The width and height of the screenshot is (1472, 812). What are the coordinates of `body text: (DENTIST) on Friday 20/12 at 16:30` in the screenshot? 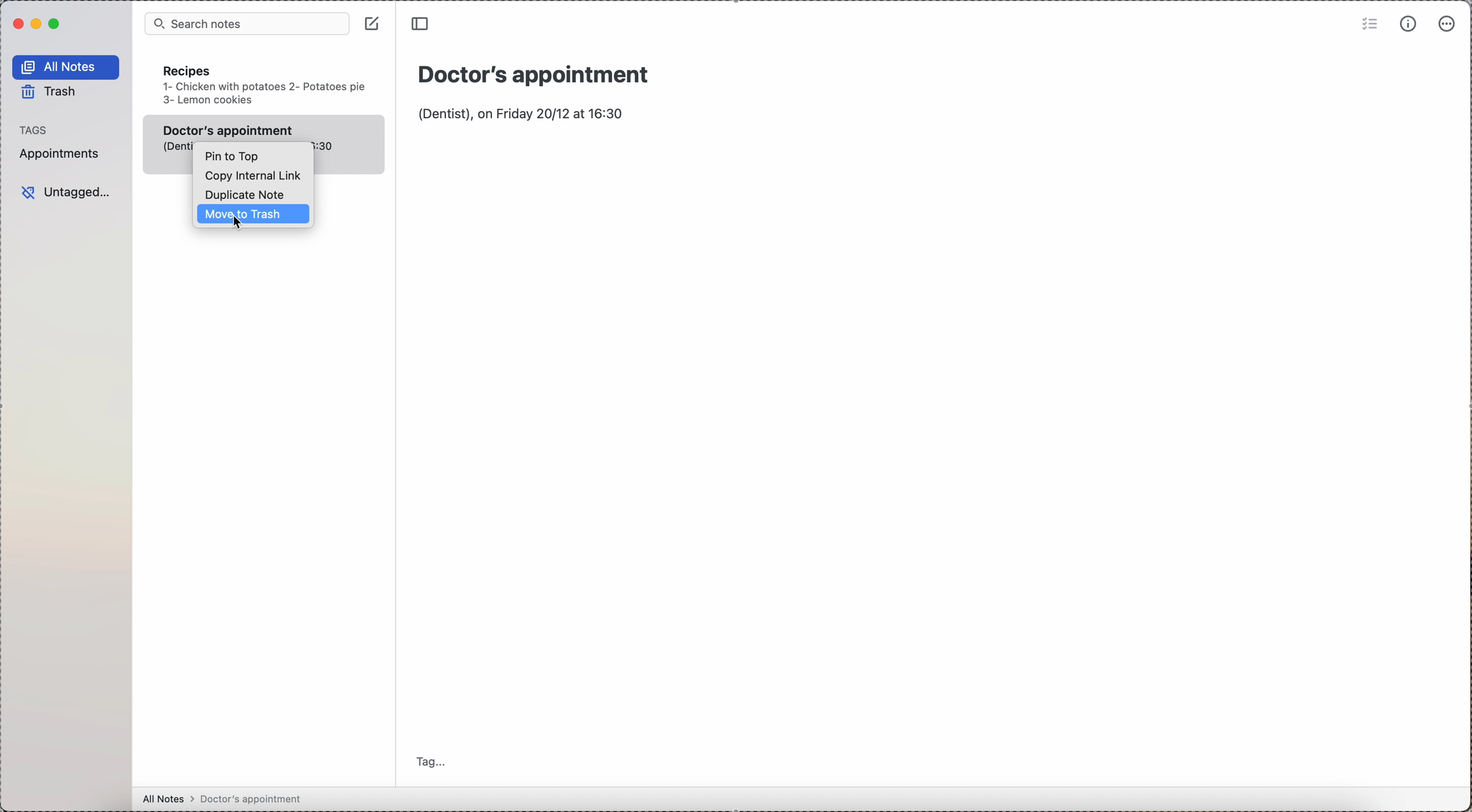 It's located at (526, 112).